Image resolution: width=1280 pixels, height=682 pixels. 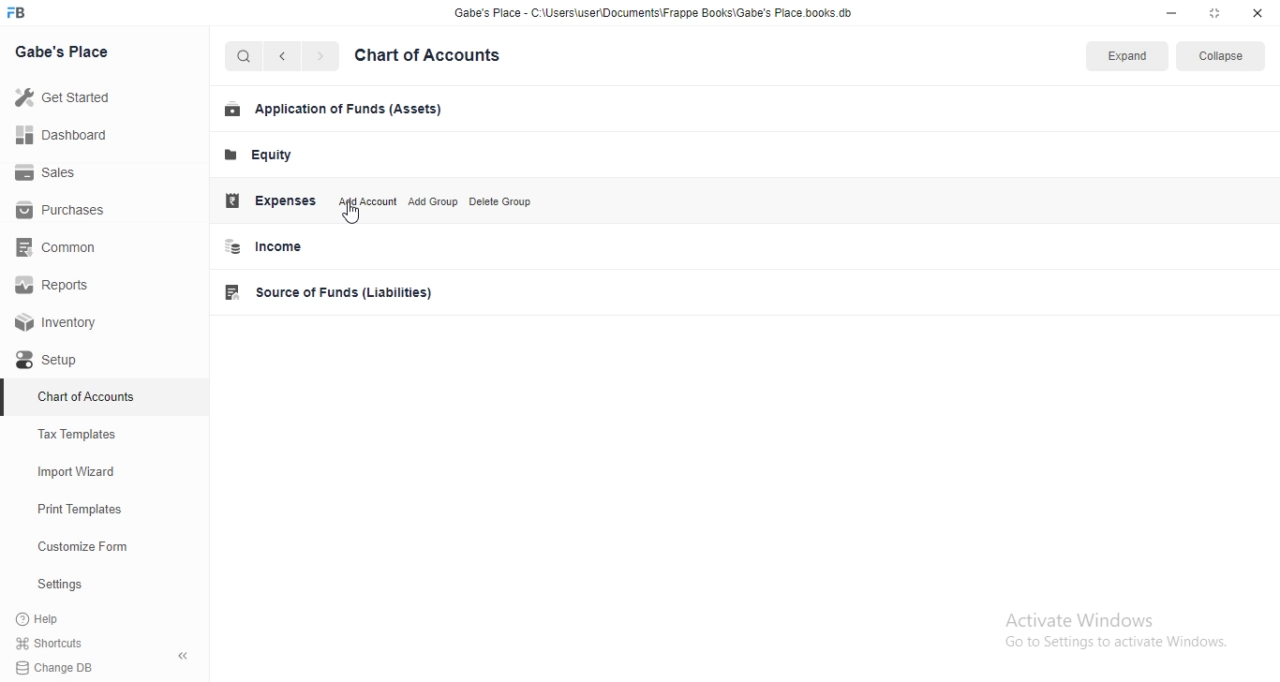 I want to click on Common, so click(x=62, y=250).